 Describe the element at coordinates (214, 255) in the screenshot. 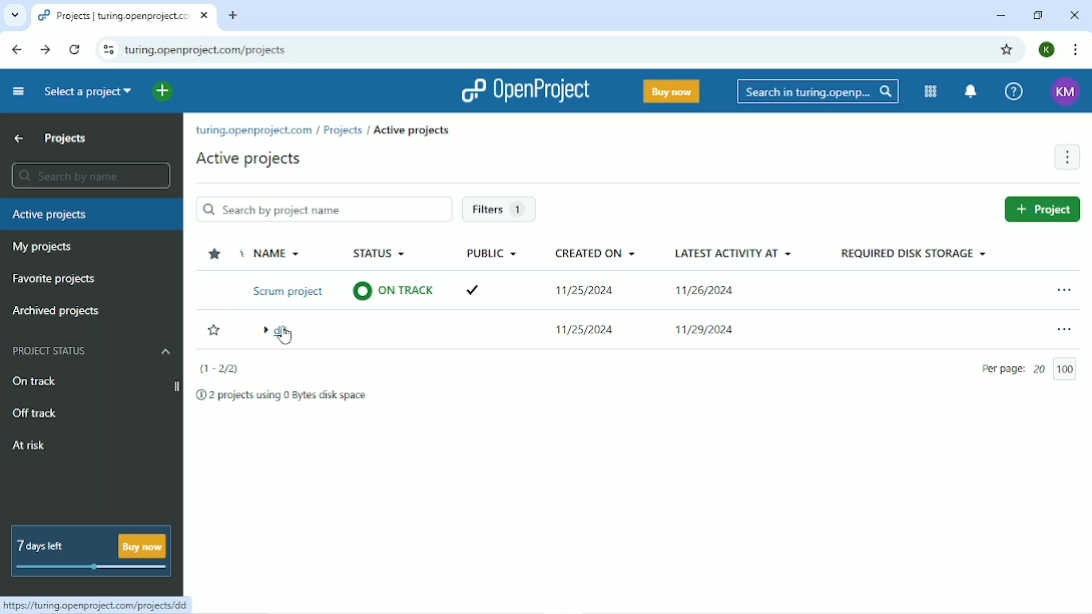

I see `Sort by favorites` at that location.